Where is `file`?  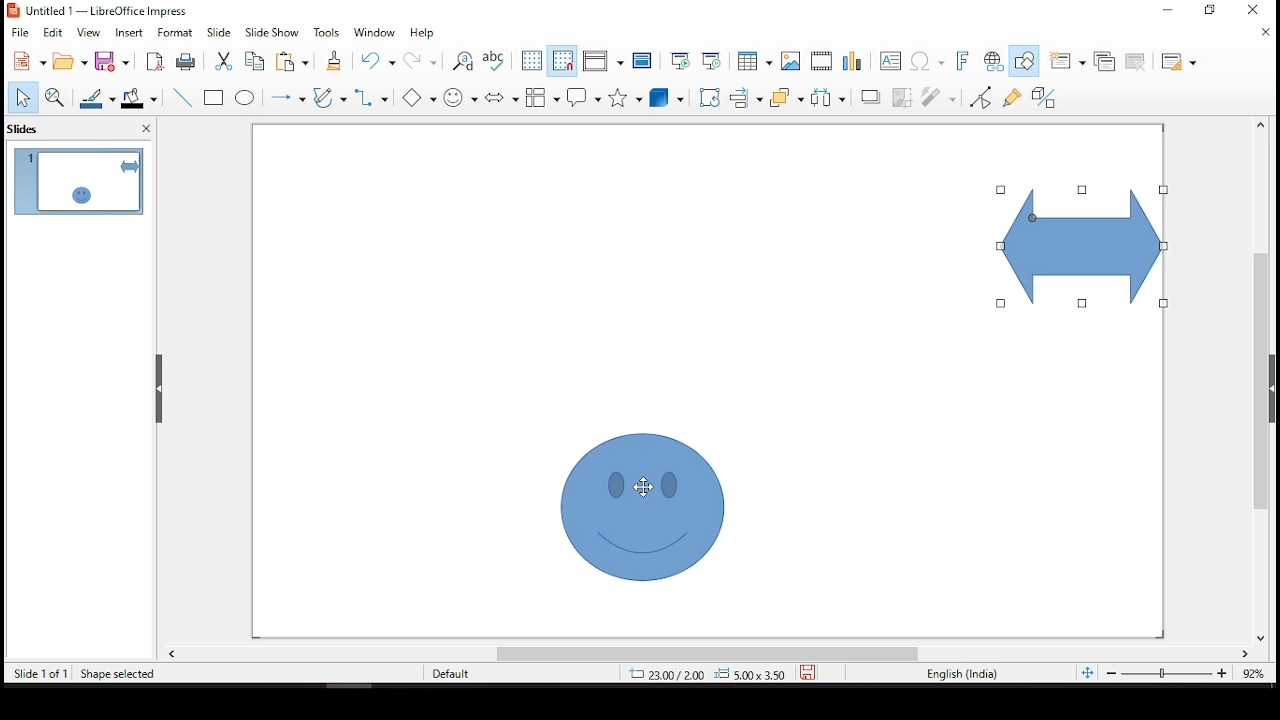
file is located at coordinates (20, 31).